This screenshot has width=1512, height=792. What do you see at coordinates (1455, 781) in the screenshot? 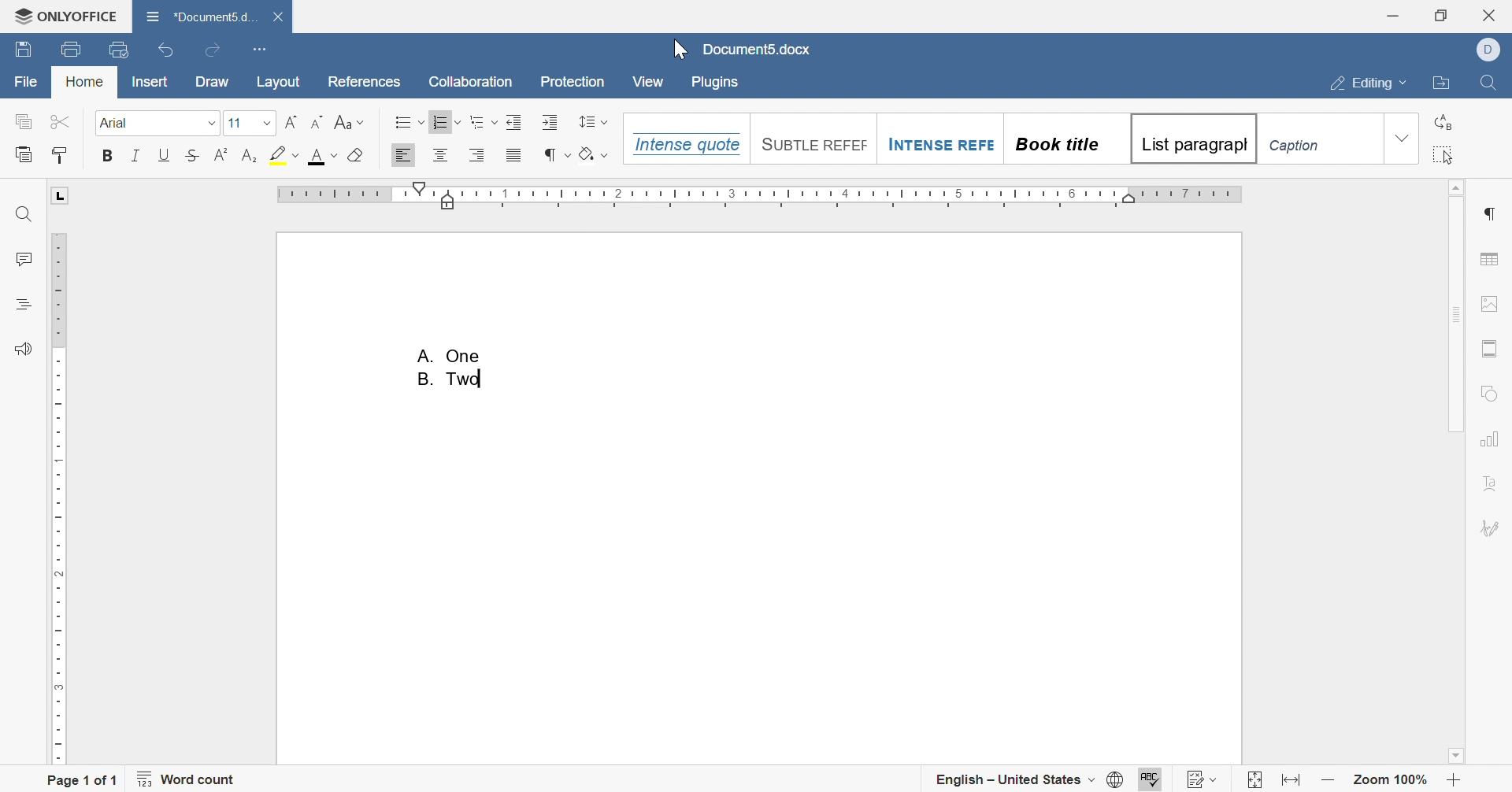
I see `zoom in` at bounding box center [1455, 781].